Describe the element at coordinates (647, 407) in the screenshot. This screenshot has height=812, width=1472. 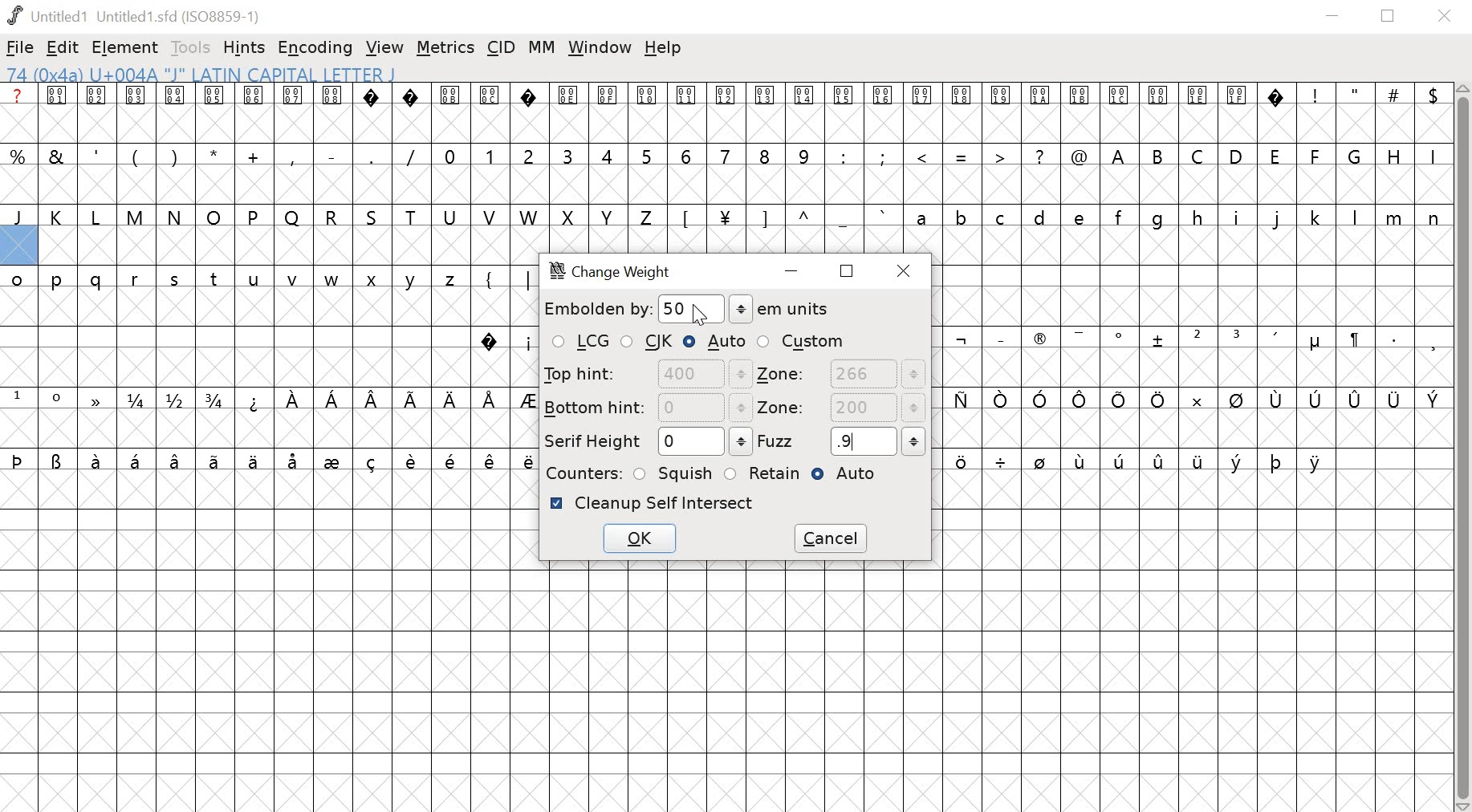
I see `BOTTOM HINT` at that location.